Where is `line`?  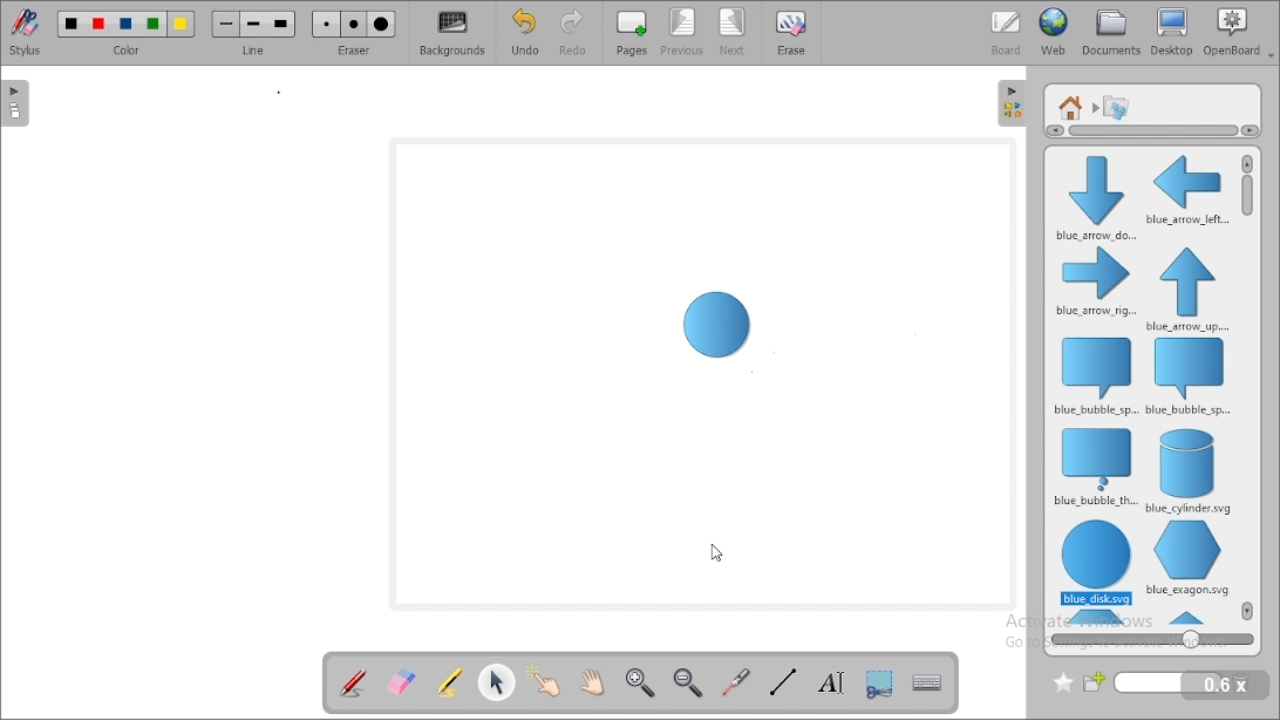
line is located at coordinates (254, 32).